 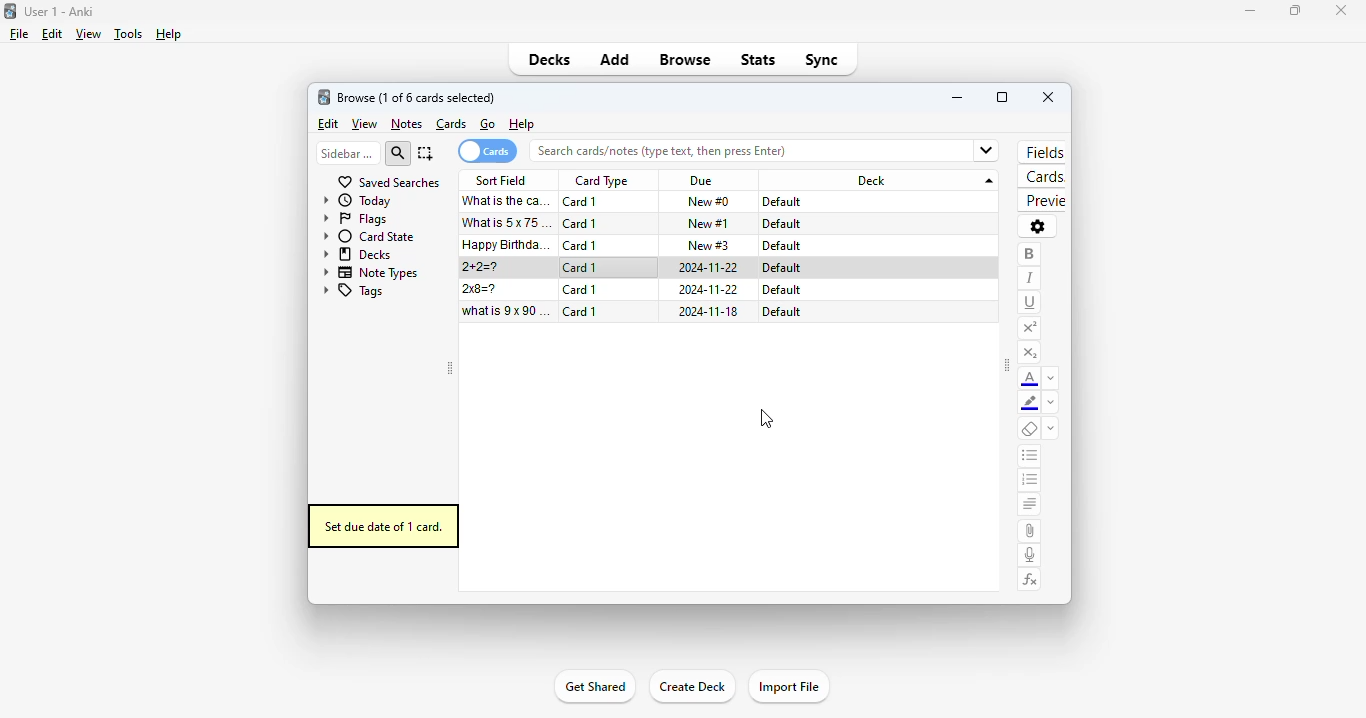 What do you see at coordinates (709, 223) in the screenshot?
I see `new #1` at bounding box center [709, 223].